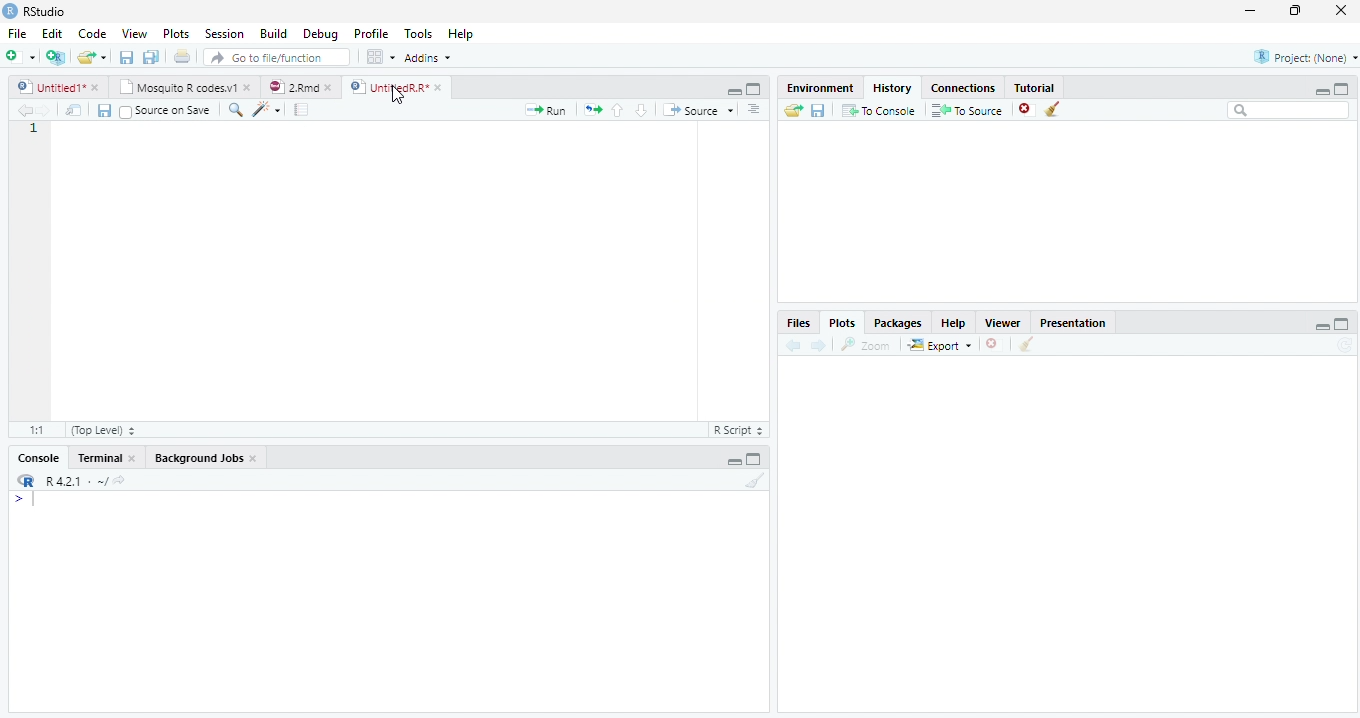 The image size is (1360, 718). I want to click on Help , so click(959, 324).